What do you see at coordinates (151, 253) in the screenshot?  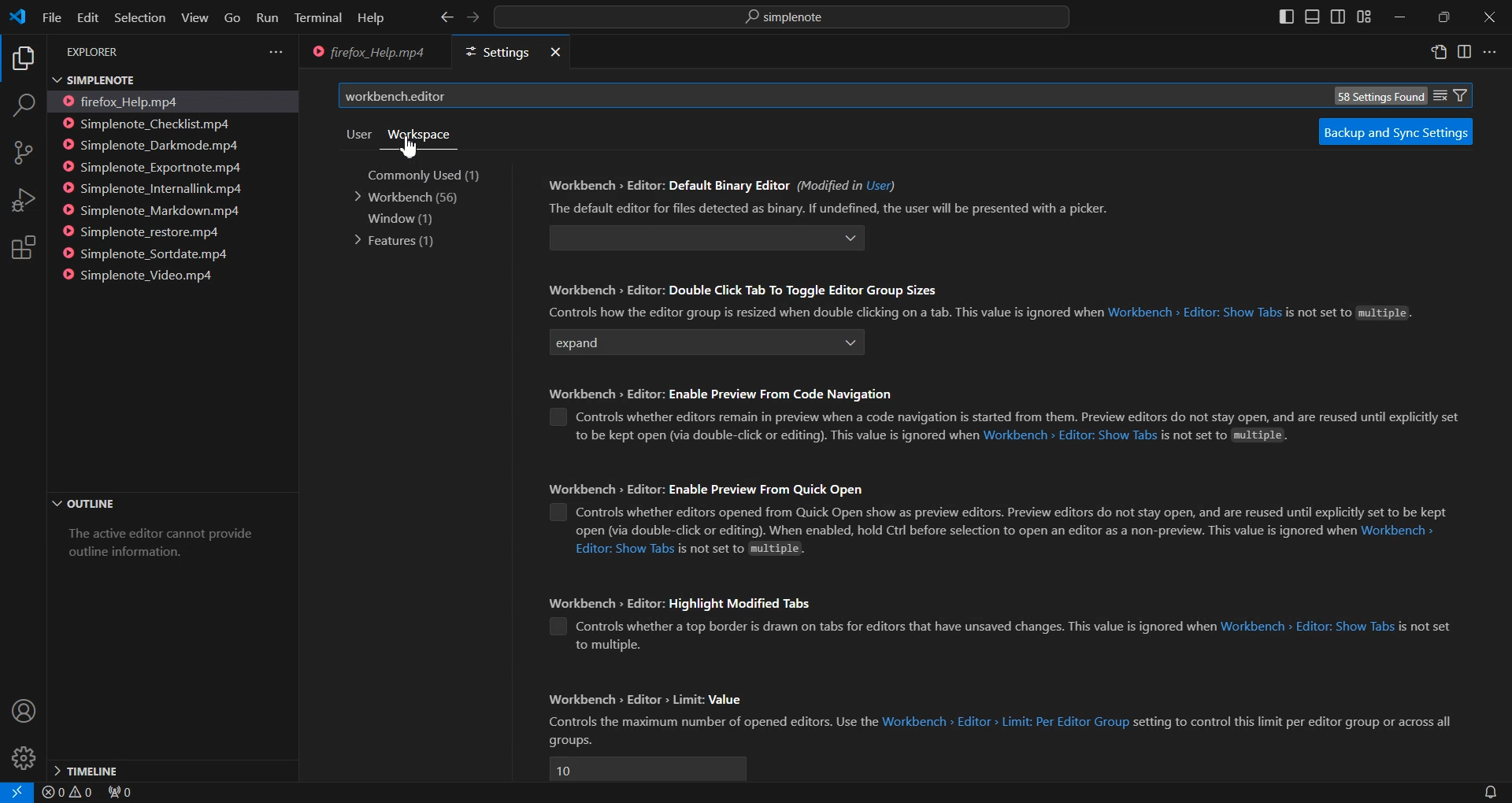 I see `Simplenote_Sortdate.mp4` at bounding box center [151, 253].